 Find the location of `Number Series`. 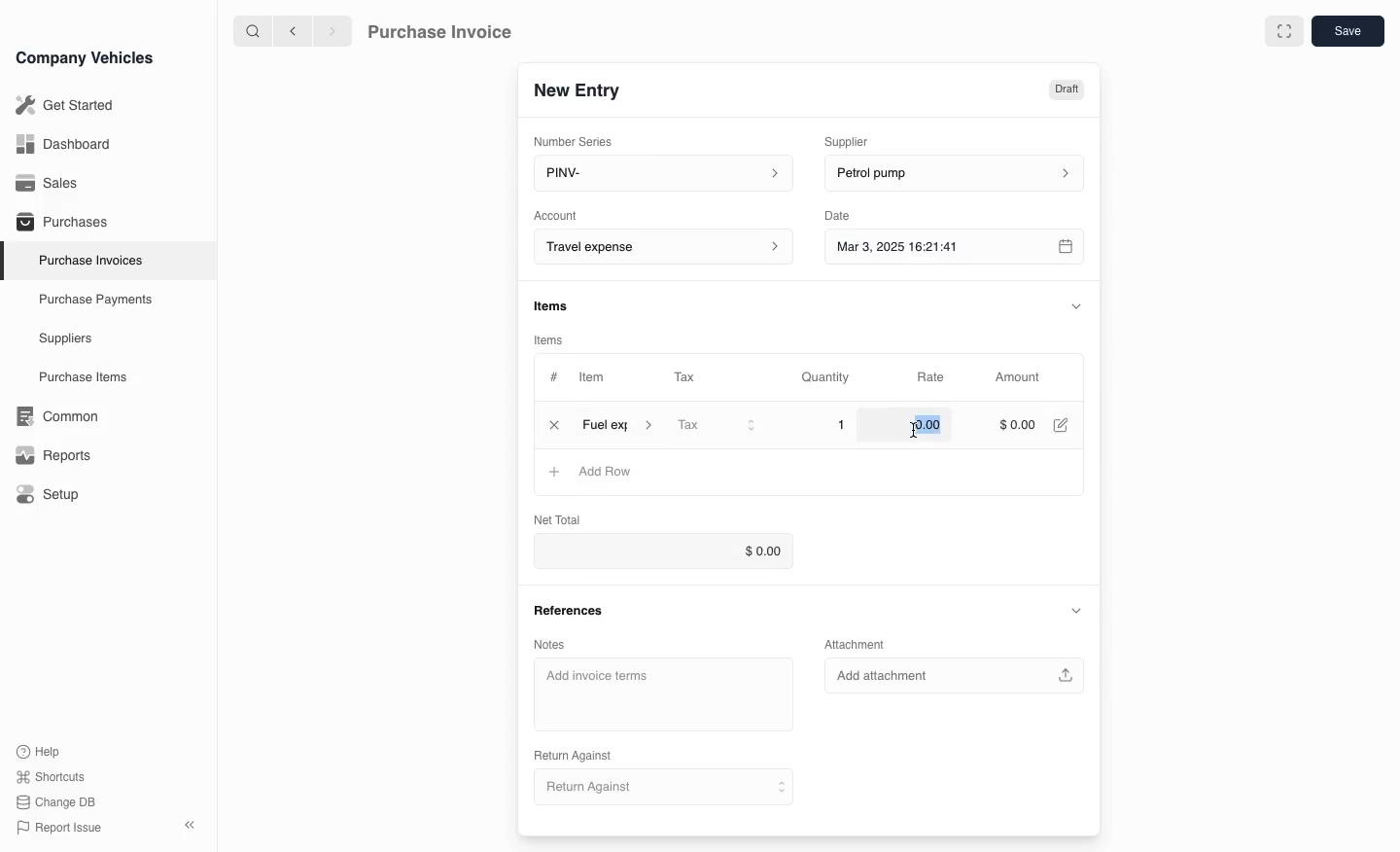

Number Series is located at coordinates (579, 139).